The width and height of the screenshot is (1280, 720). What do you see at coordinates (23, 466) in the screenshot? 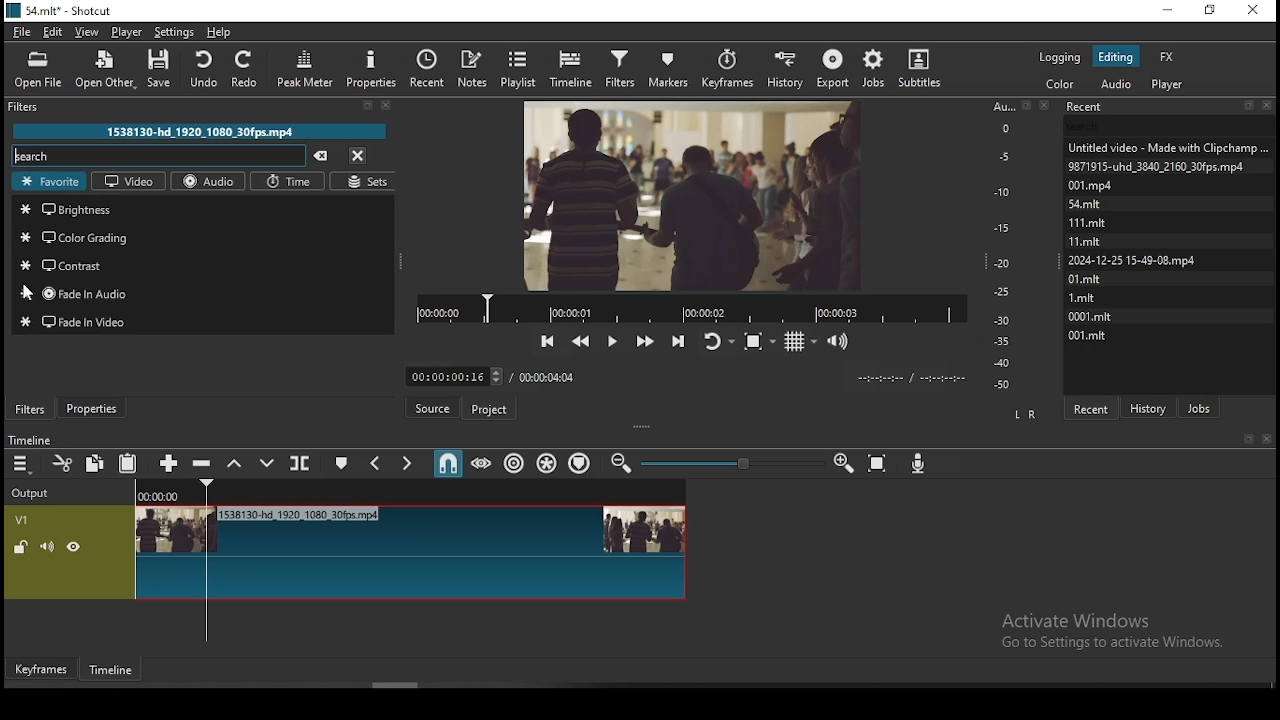
I see `timeline menu` at bounding box center [23, 466].